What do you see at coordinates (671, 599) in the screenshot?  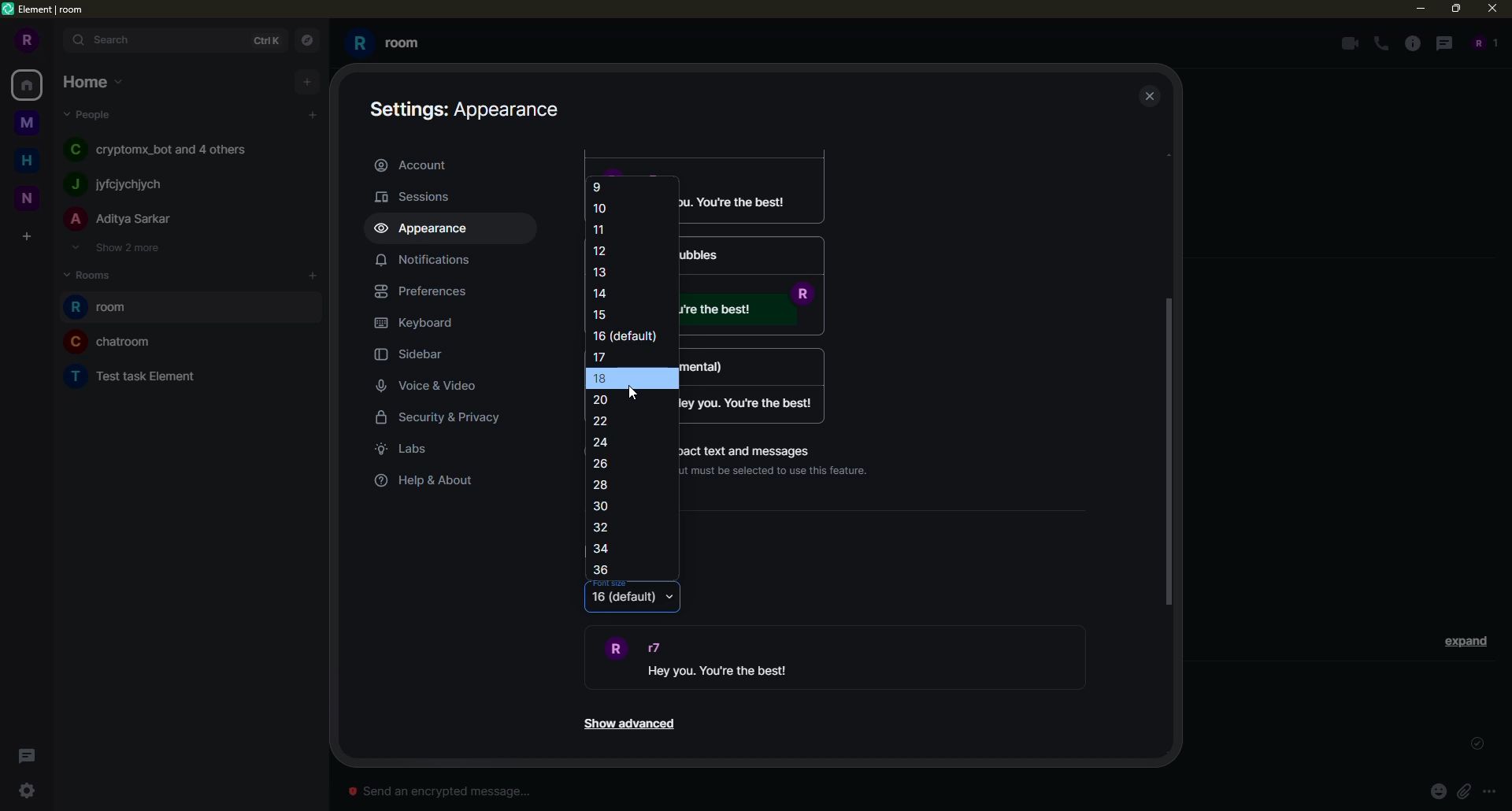 I see `drop down` at bounding box center [671, 599].